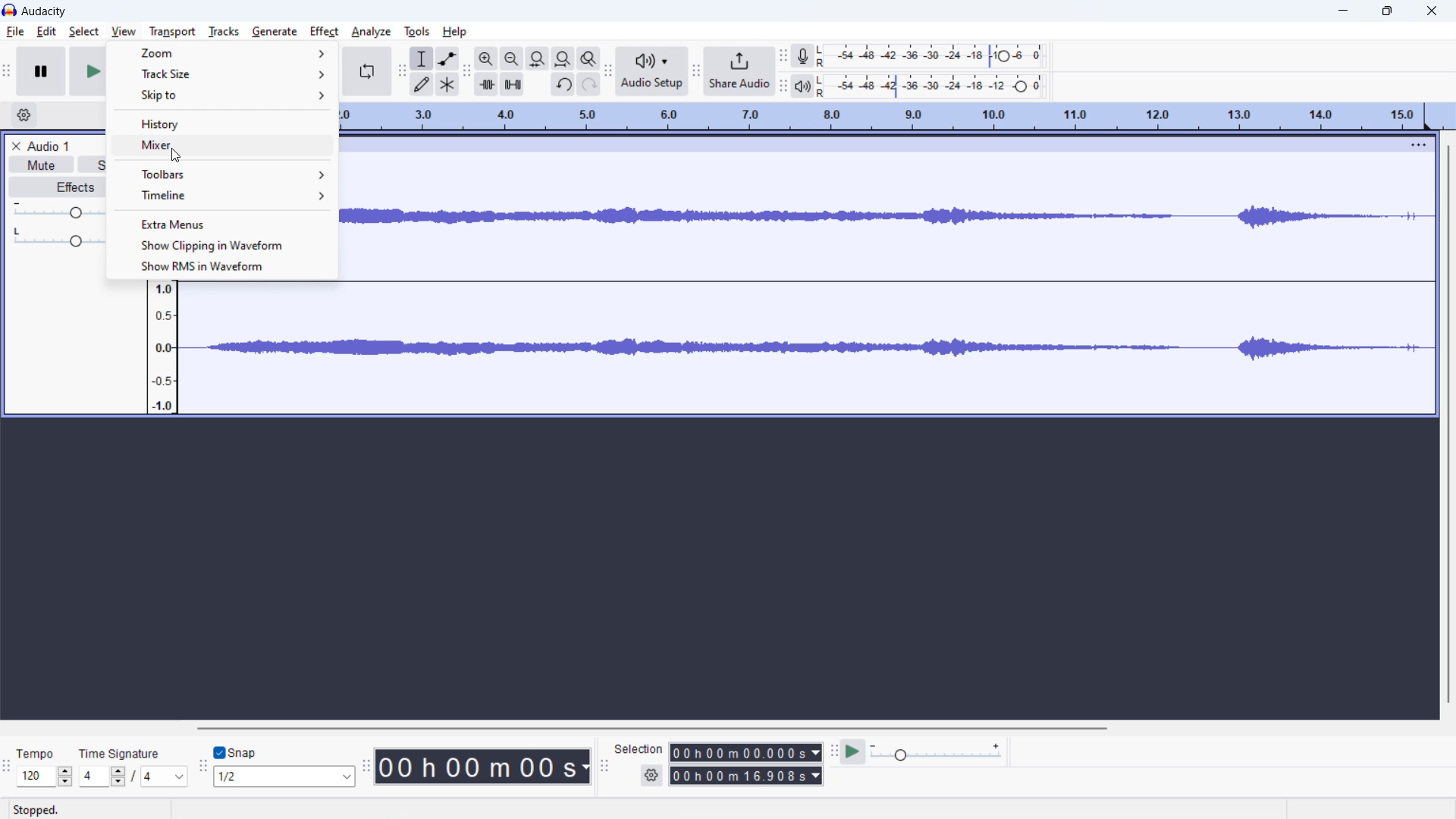  What do you see at coordinates (42, 805) in the screenshot?
I see `stopped` at bounding box center [42, 805].